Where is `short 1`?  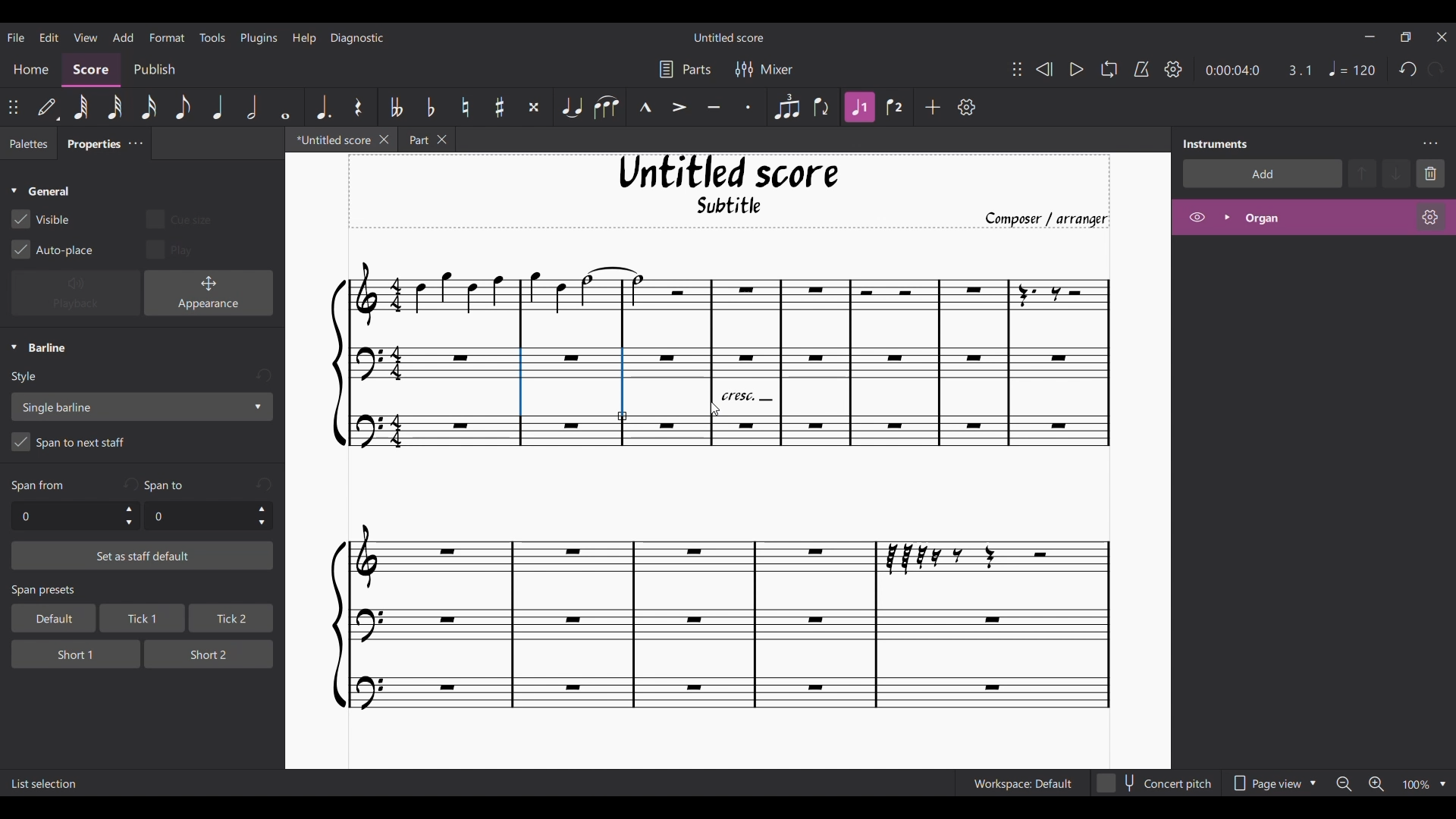
short 1 is located at coordinates (64, 652).